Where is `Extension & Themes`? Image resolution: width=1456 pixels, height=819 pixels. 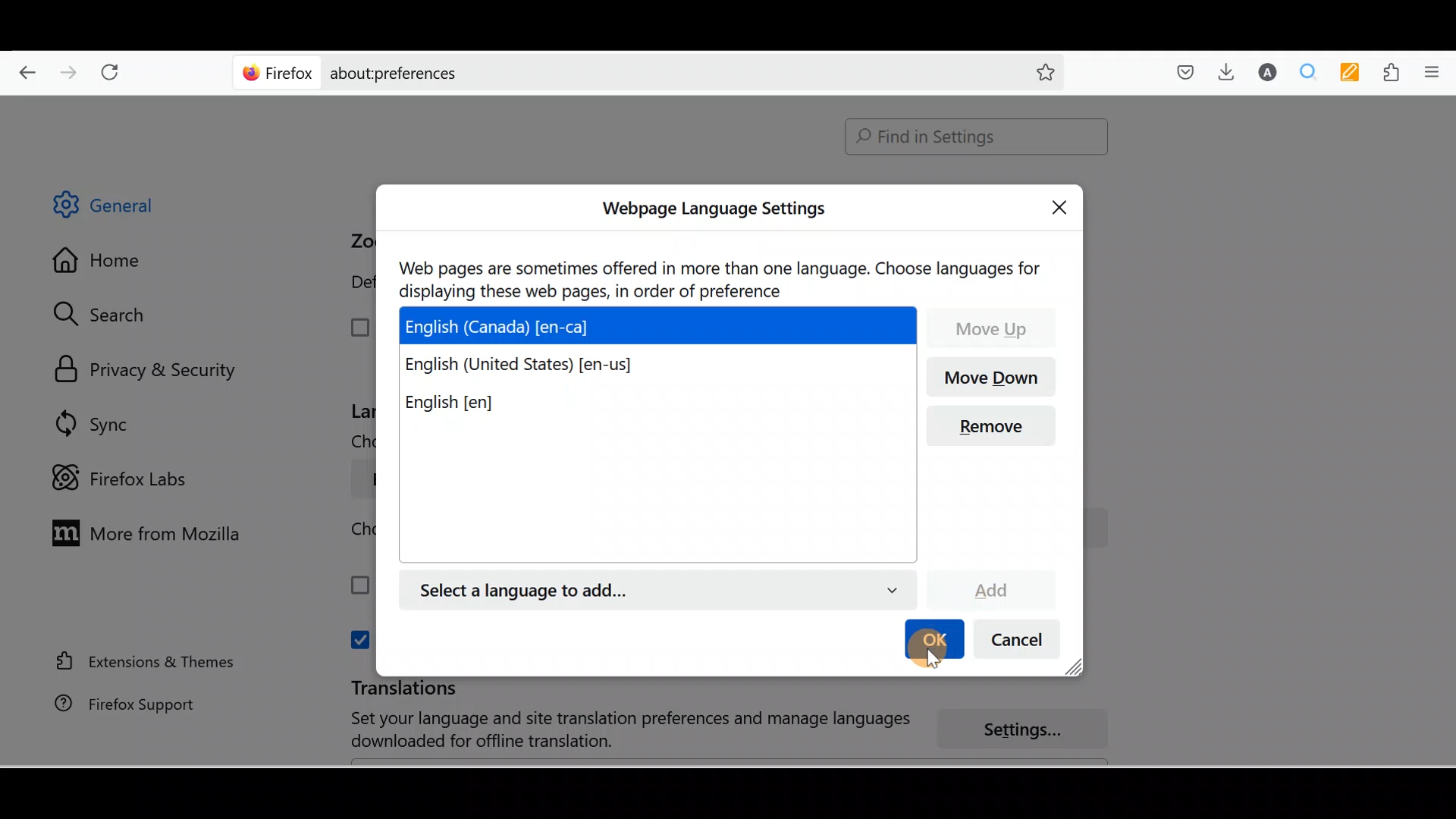 Extension & Themes is located at coordinates (138, 661).